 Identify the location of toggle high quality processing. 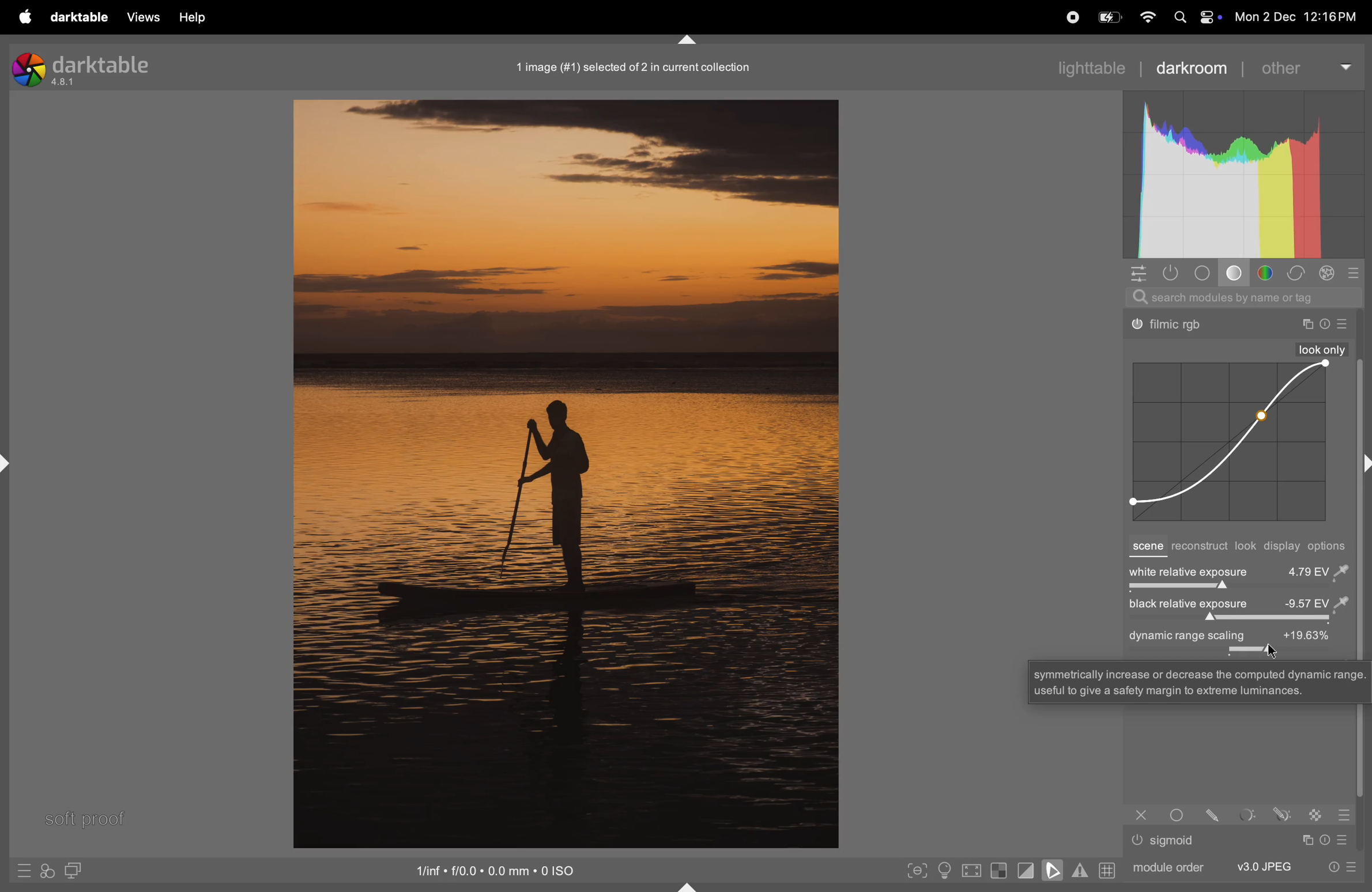
(973, 872).